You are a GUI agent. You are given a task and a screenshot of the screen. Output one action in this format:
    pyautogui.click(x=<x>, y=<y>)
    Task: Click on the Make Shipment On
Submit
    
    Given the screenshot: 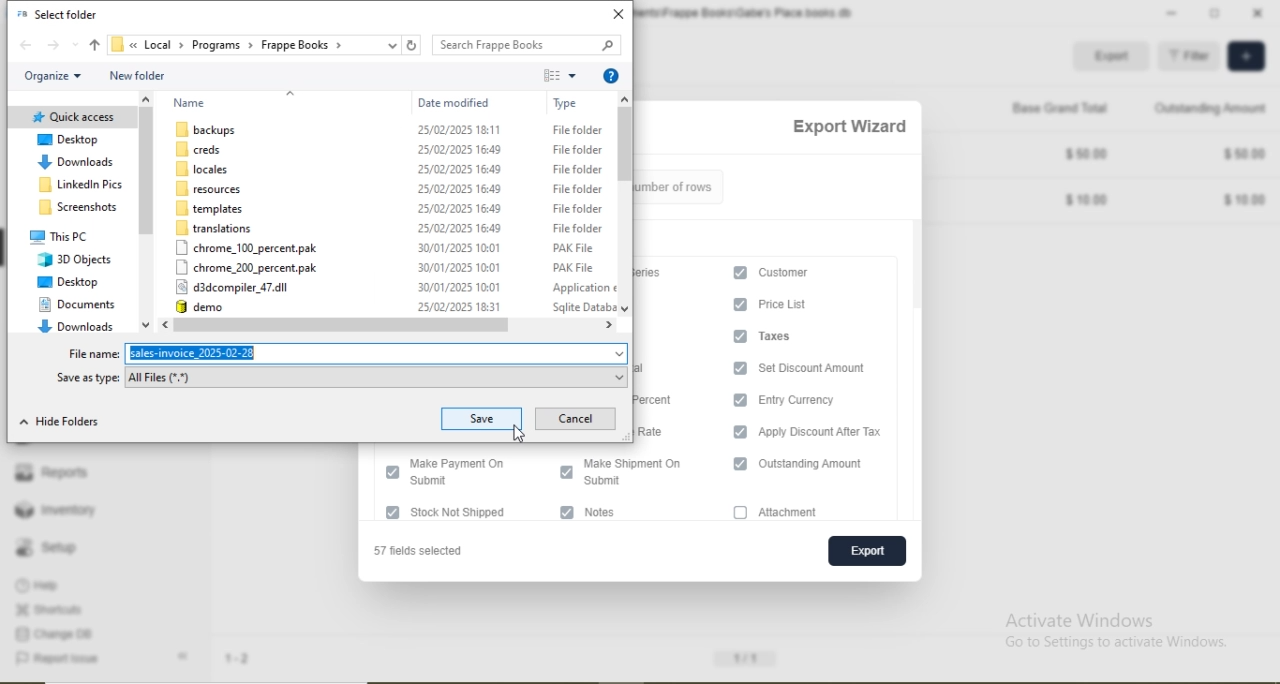 What is the action you would take?
    pyautogui.click(x=641, y=472)
    